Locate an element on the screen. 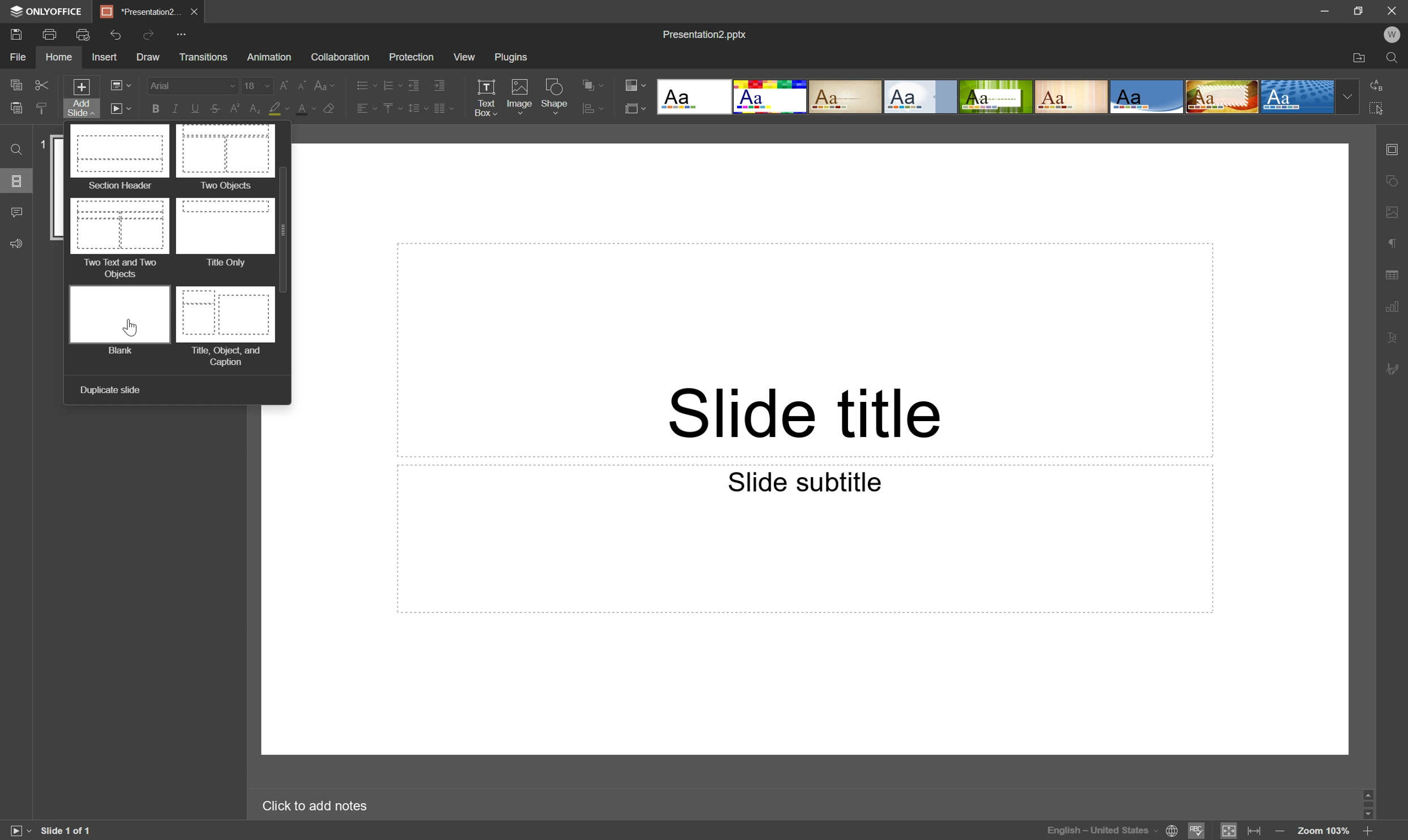  Start slideshow is located at coordinates (120, 108).